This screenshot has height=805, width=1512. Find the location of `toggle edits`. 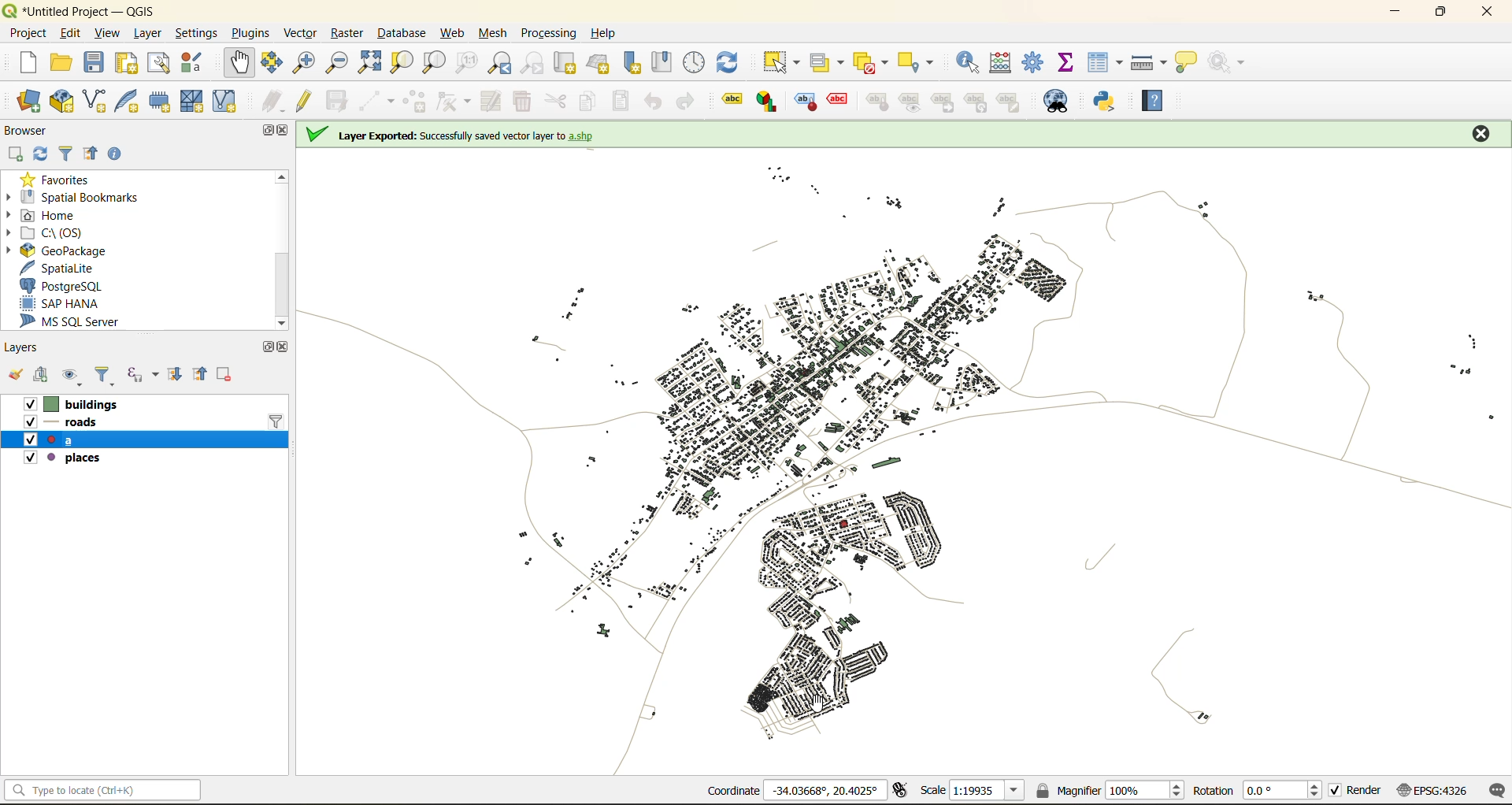

toggle edits is located at coordinates (309, 99).